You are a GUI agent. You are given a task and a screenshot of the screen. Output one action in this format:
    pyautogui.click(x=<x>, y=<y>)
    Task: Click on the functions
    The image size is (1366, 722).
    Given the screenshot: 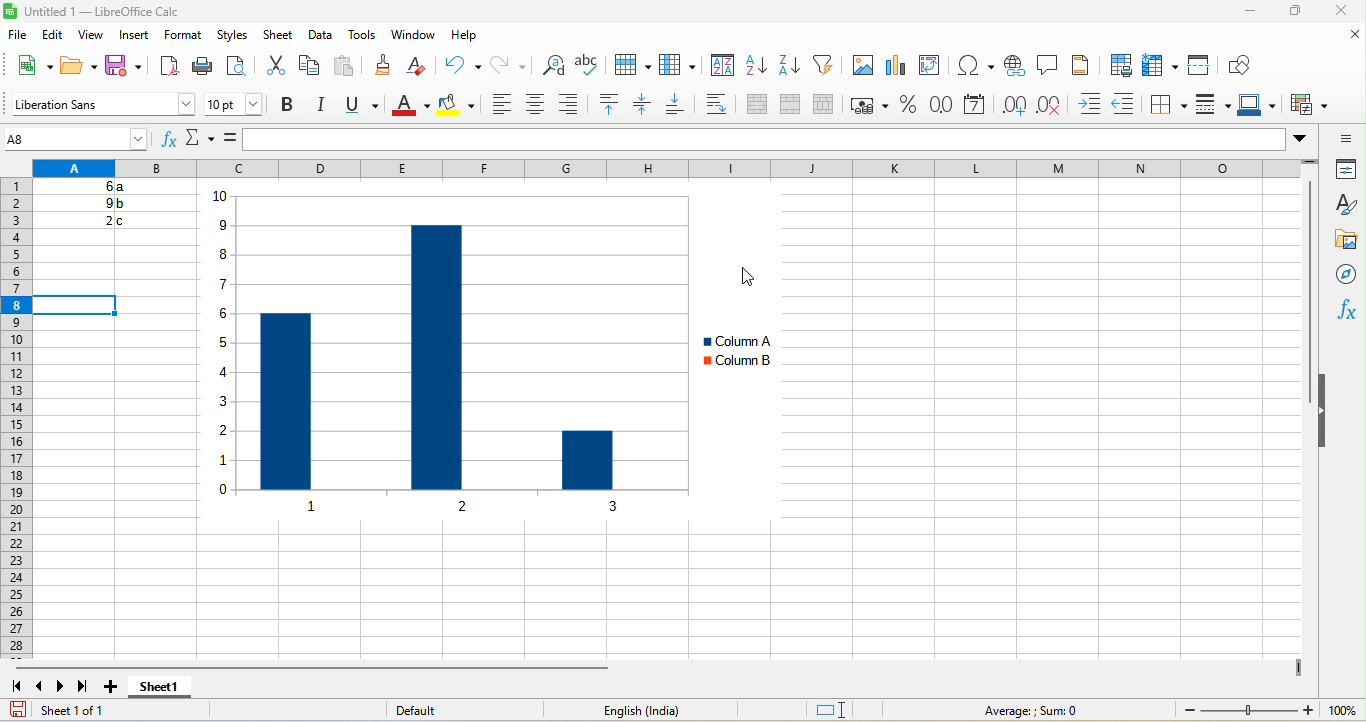 What is the action you would take?
    pyautogui.click(x=1345, y=310)
    